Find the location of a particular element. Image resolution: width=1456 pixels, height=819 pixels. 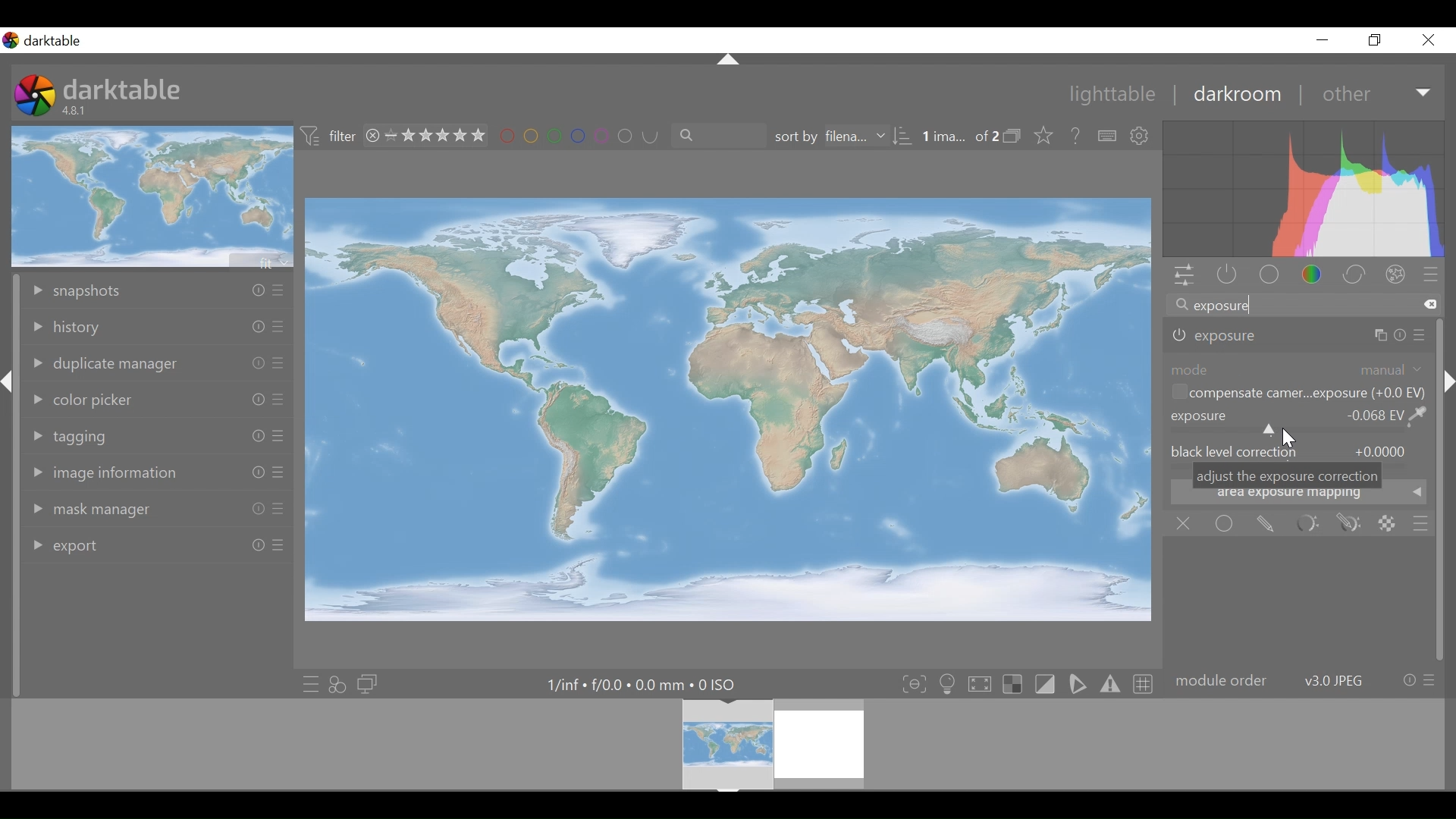

correct is located at coordinates (1354, 274).